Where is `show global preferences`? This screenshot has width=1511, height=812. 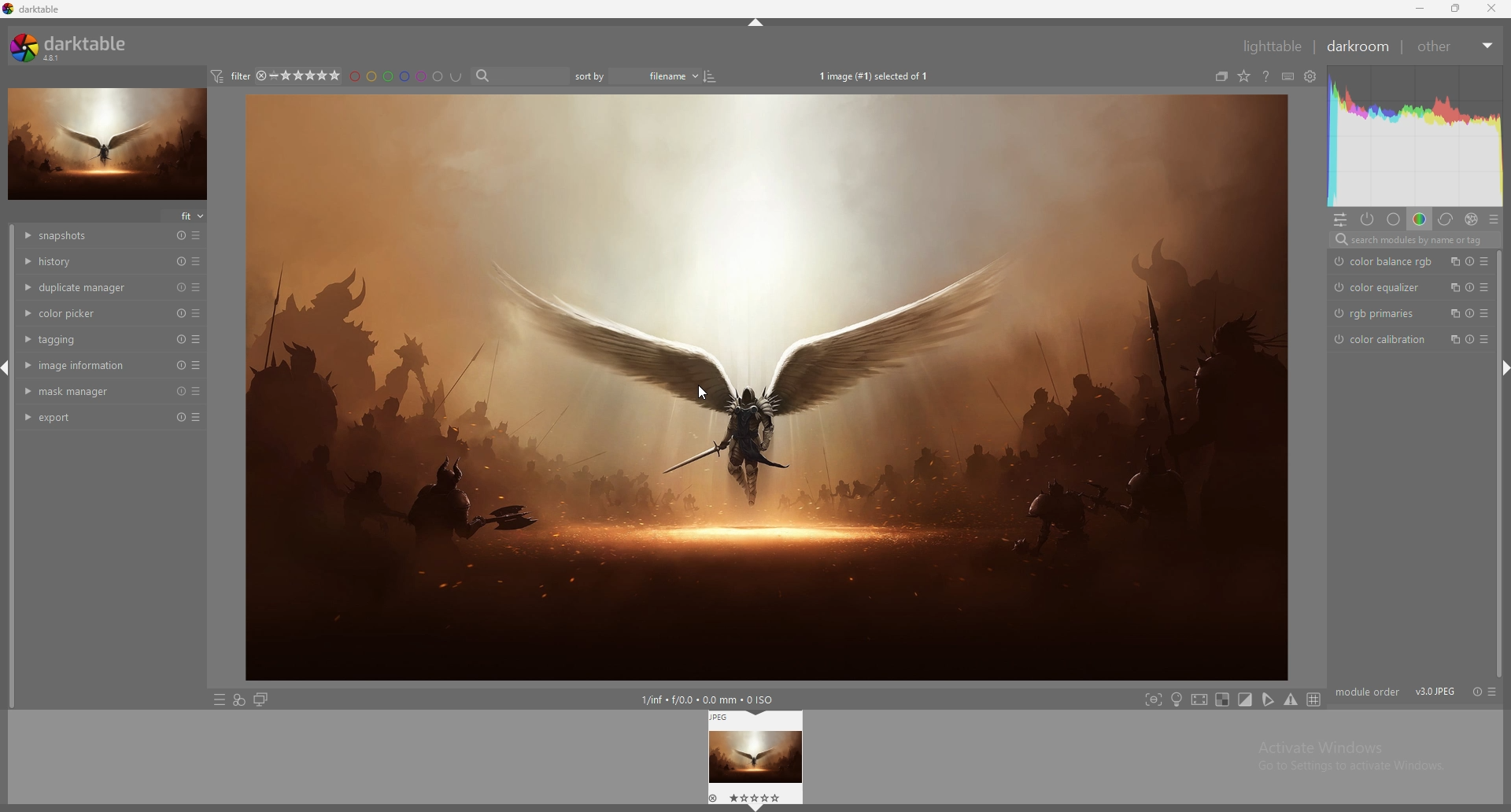
show global preferences is located at coordinates (1312, 75).